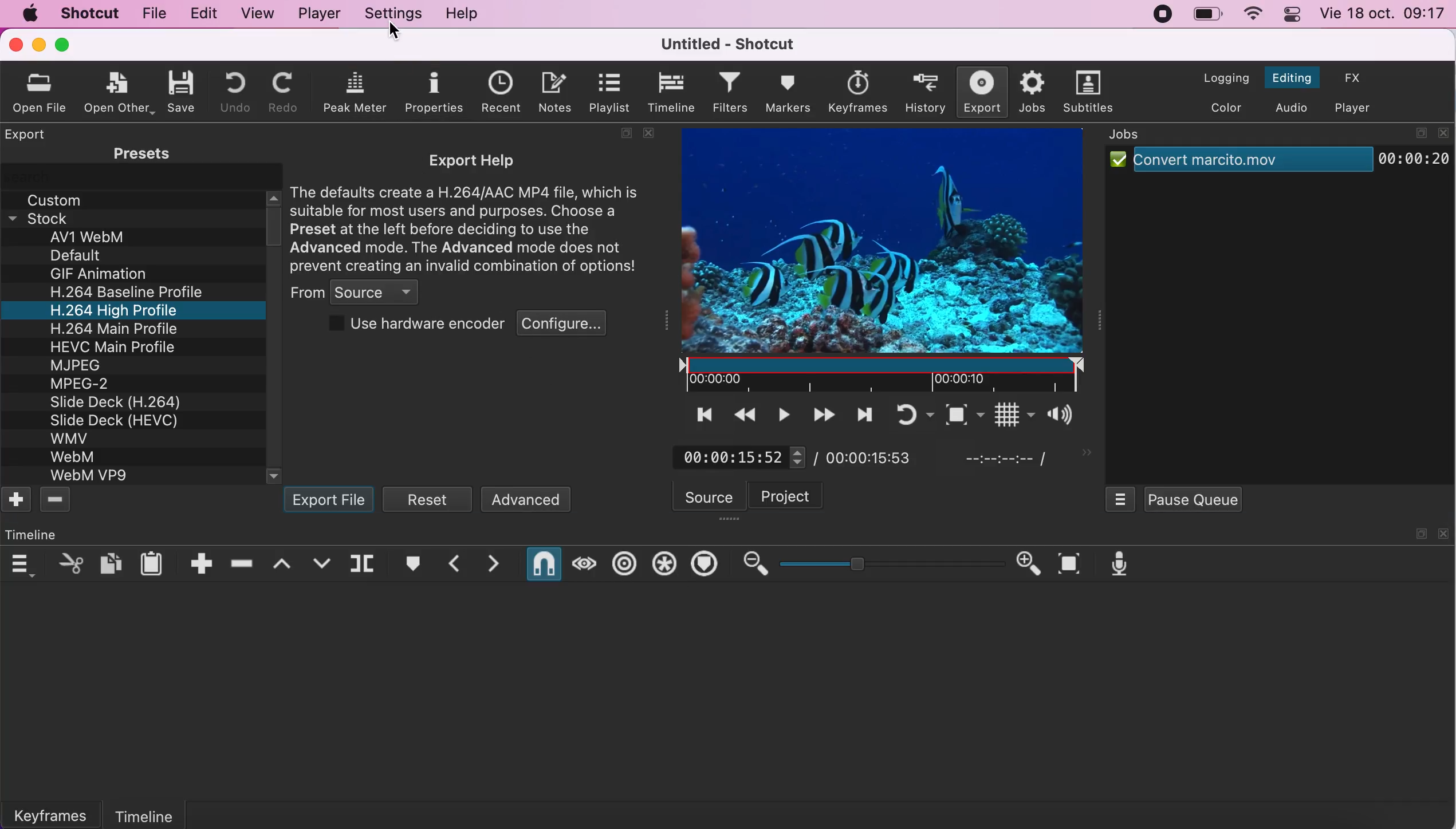 This screenshot has height=829, width=1456. Describe the element at coordinates (26, 134) in the screenshot. I see `export panel` at that location.